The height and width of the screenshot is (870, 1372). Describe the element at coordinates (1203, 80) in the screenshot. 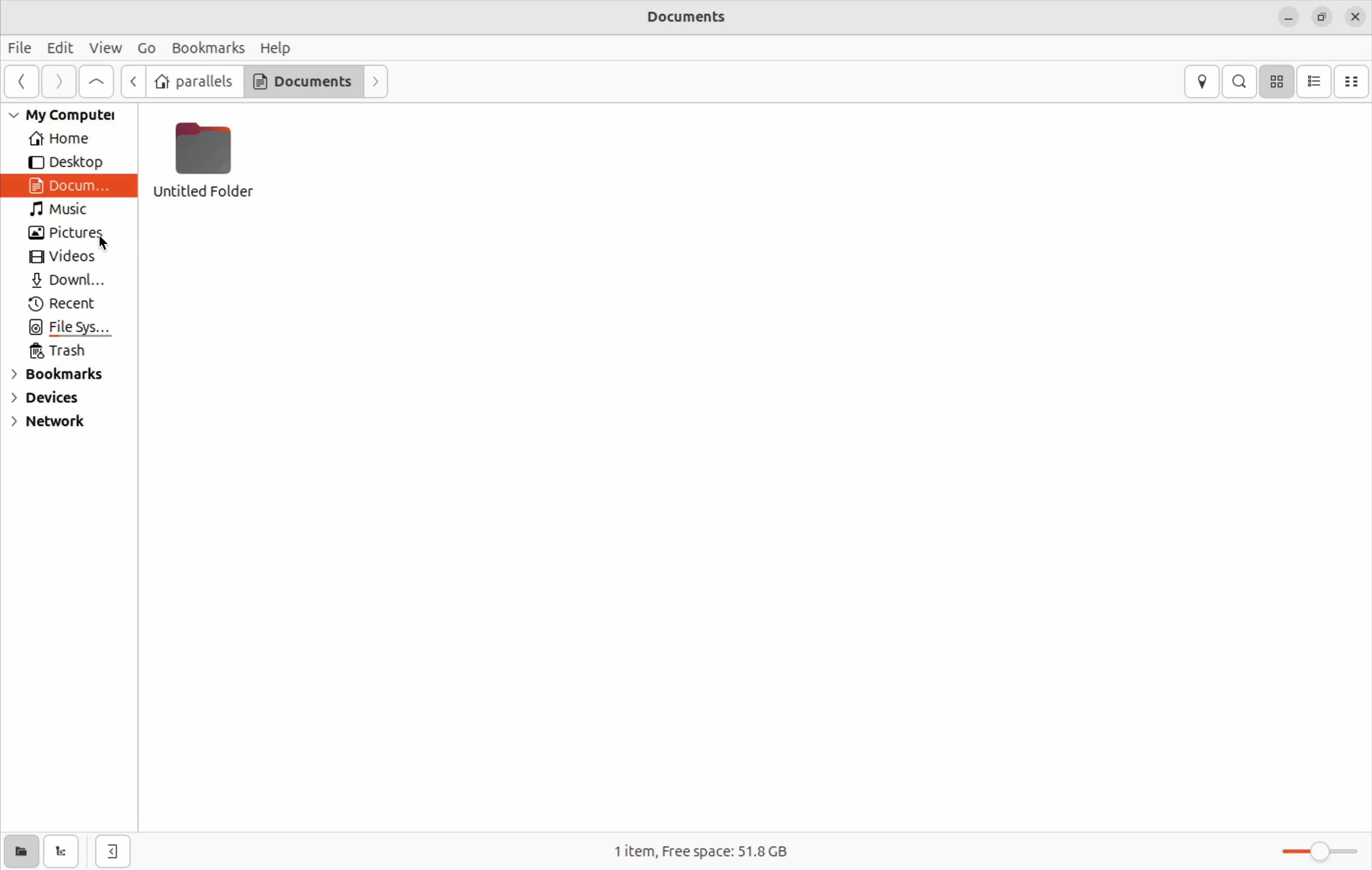

I see `location` at that location.